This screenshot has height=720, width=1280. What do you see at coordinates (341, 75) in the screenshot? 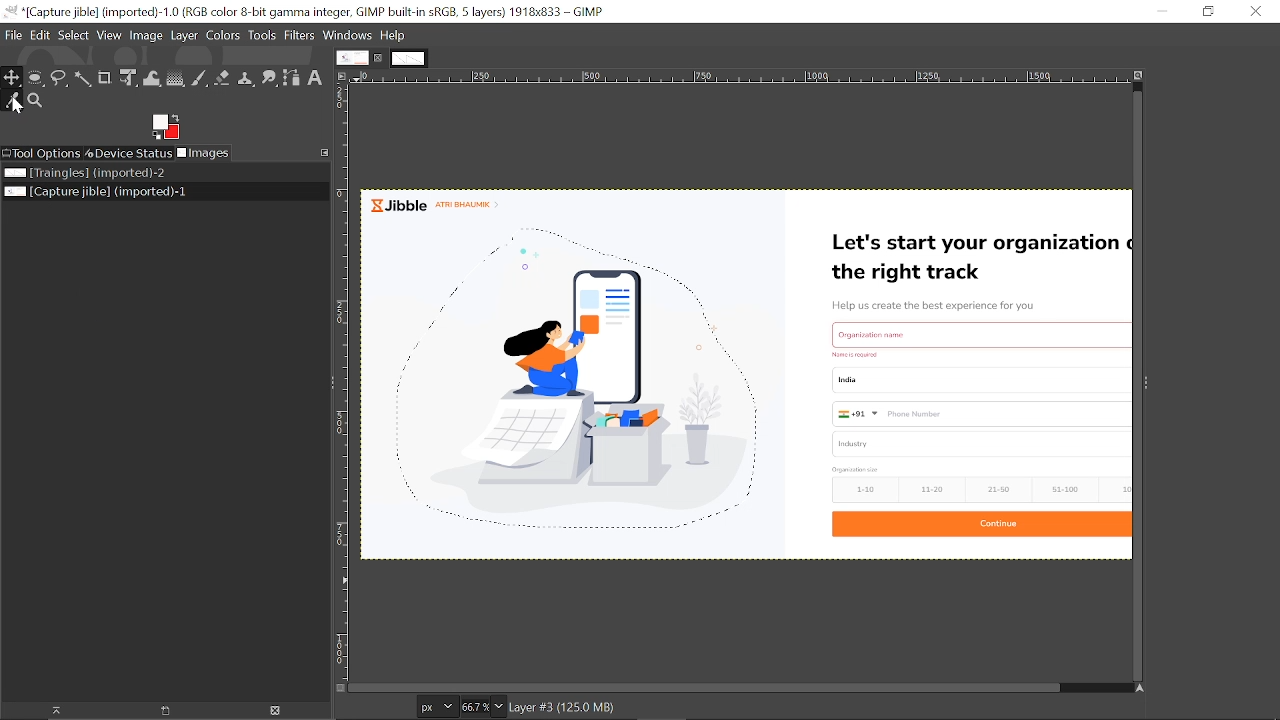
I see `Access the image menu` at bounding box center [341, 75].